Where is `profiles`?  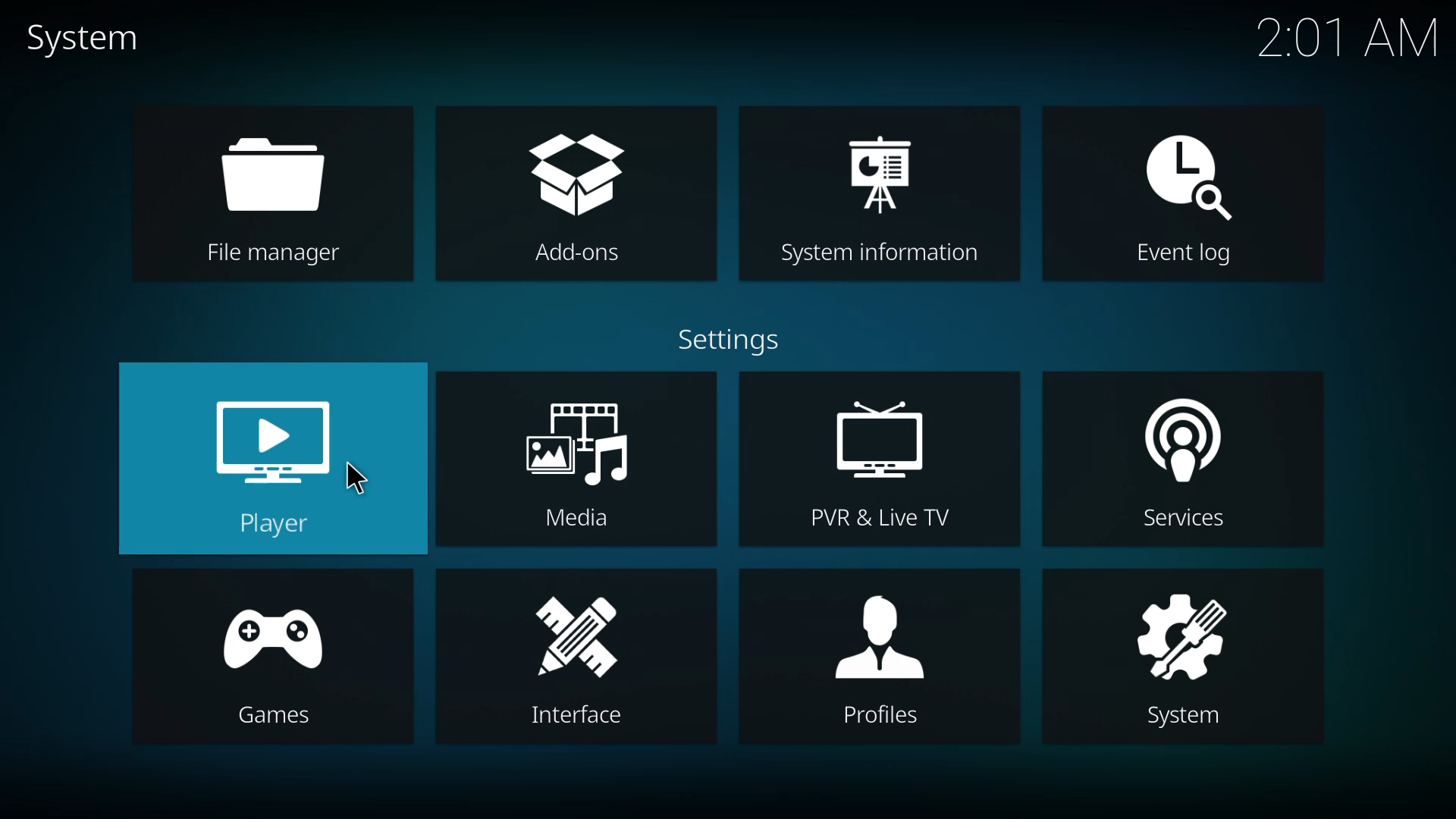
profiles is located at coordinates (877, 654).